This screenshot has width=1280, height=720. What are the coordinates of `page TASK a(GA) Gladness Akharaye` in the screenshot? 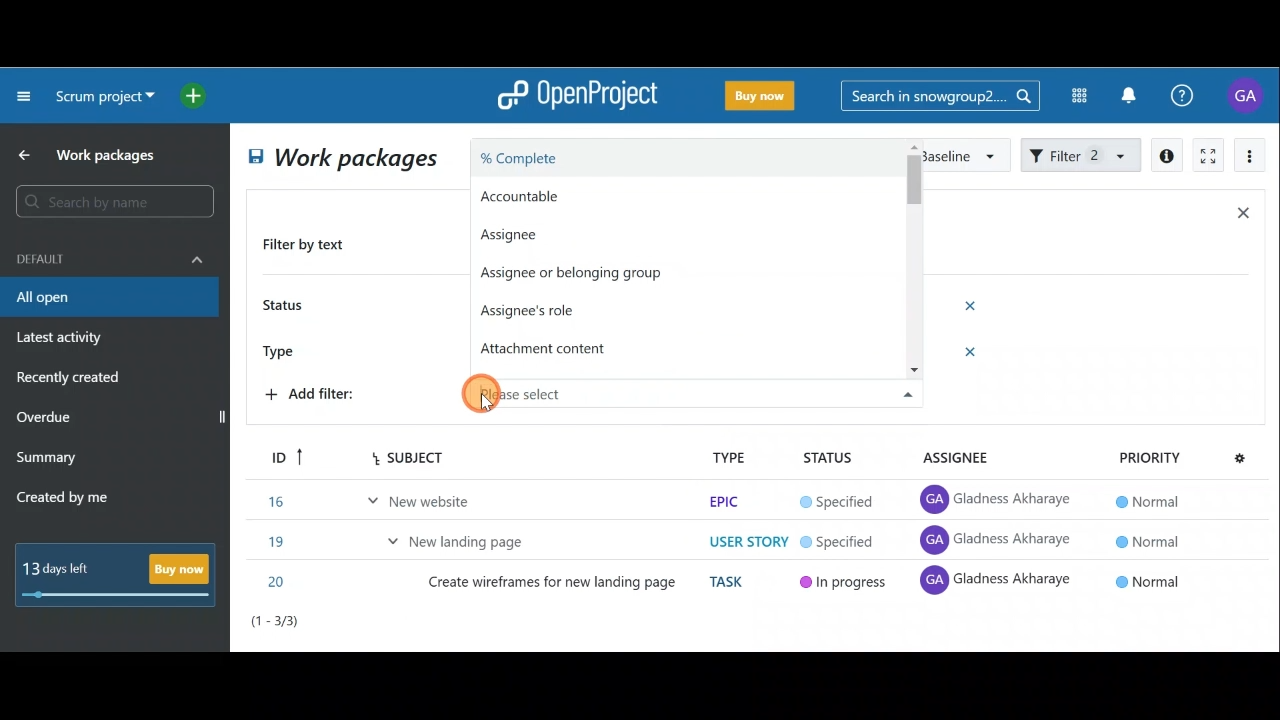 It's located at (998, 540).